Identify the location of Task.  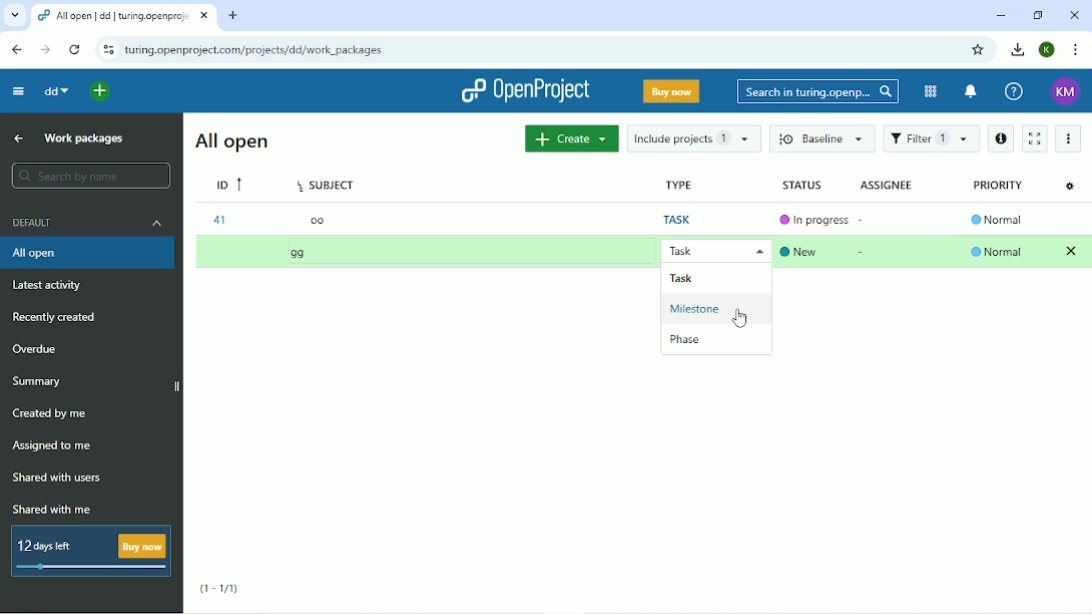
(716, 250).